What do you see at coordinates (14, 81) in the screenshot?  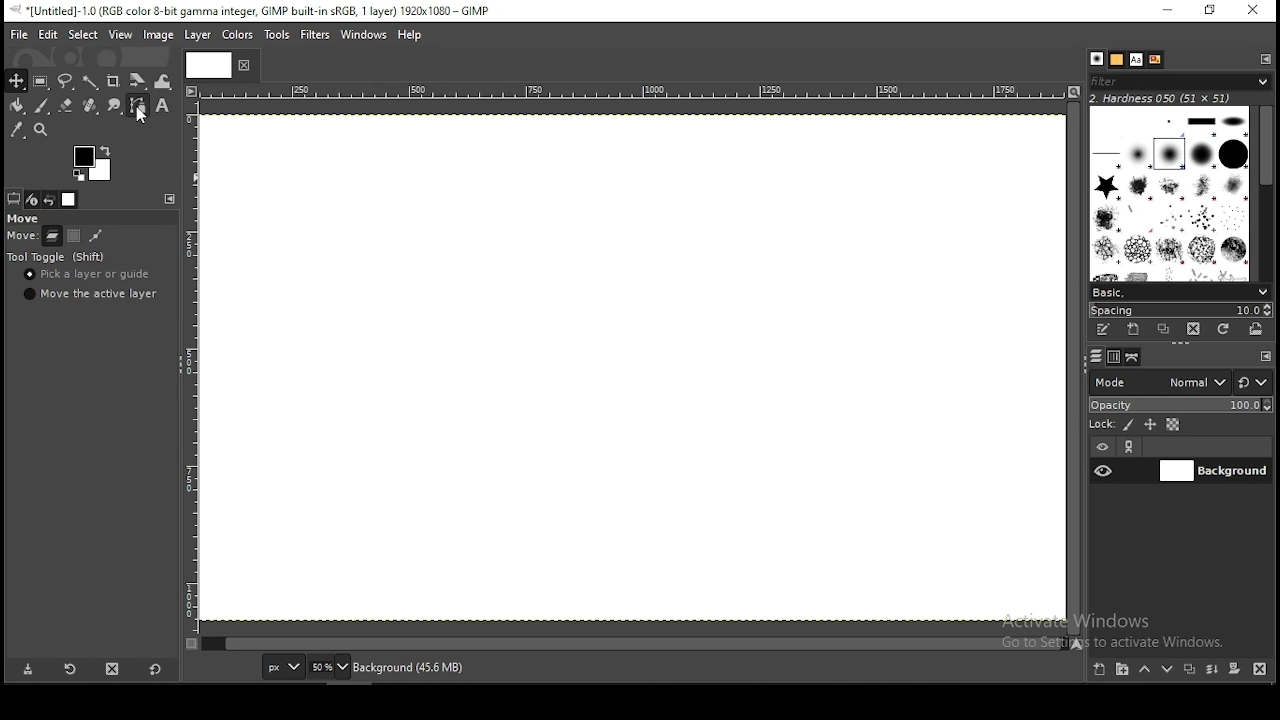 I see `selection tool` at bounding box center [14, 81].